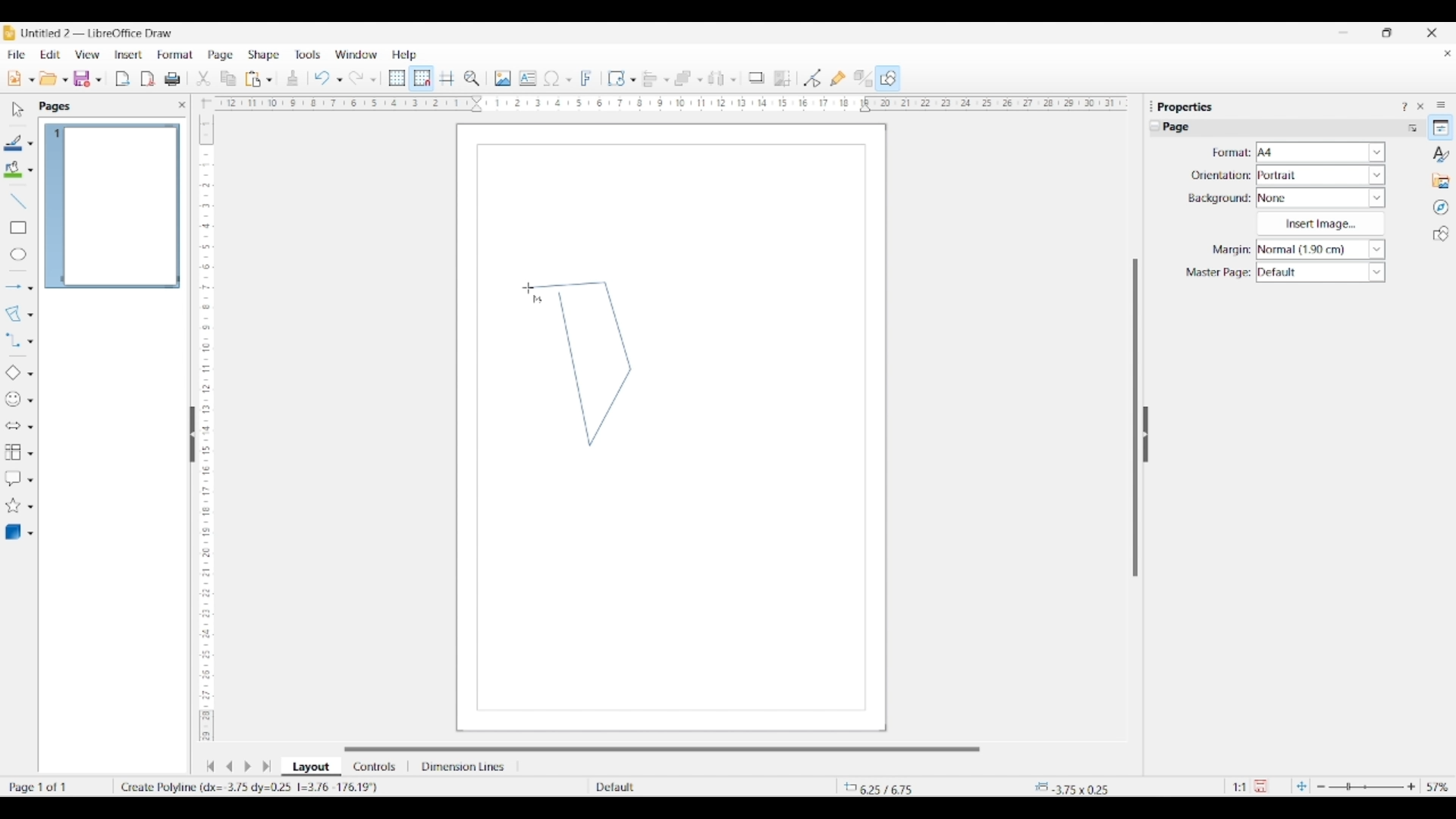 This screenshot has width=1456, height=819. I want to click on Hide left sidebar, so click(193, 435).